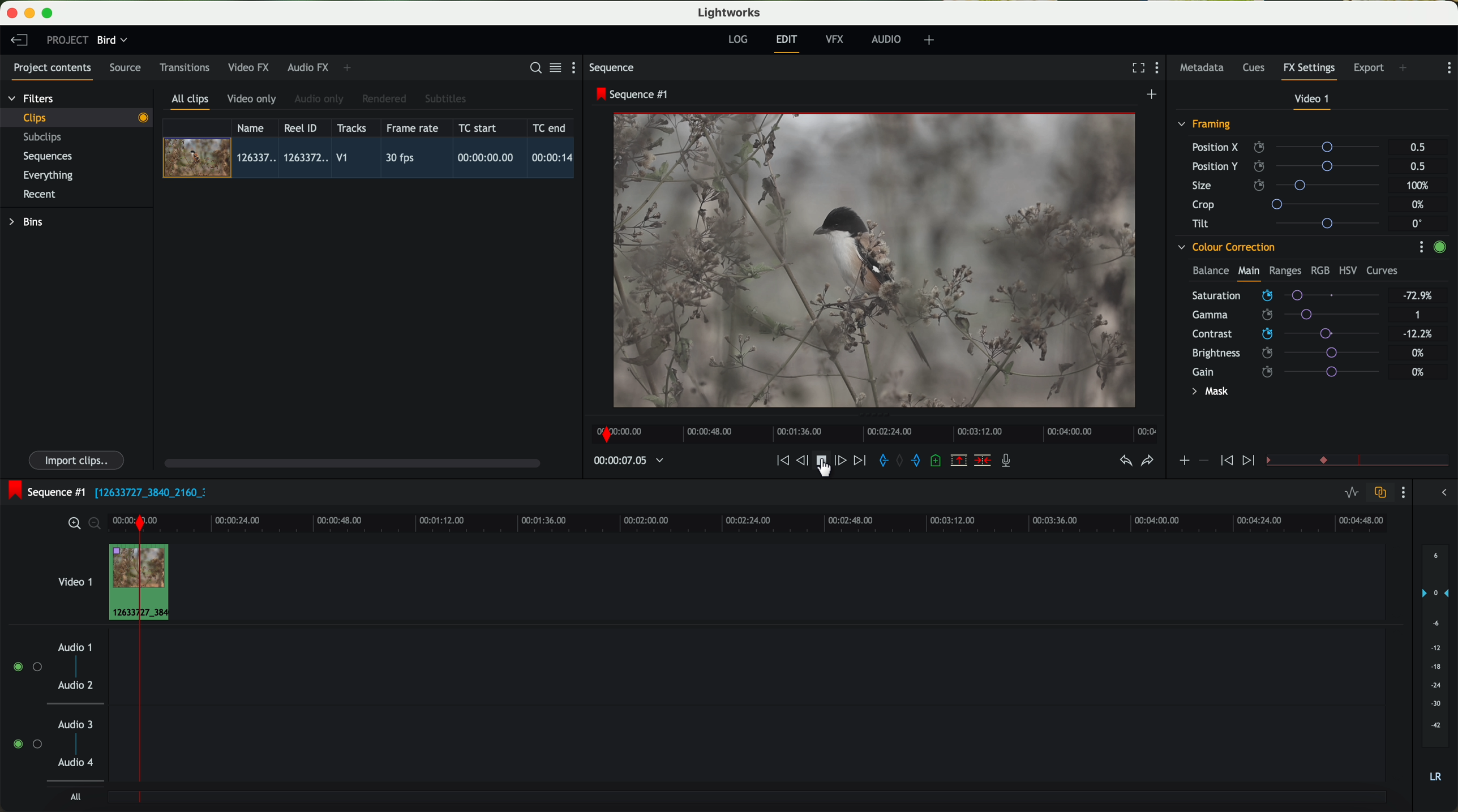 This screenshot has width=1458, height=812. I want to click on bird, so click(112, 41).